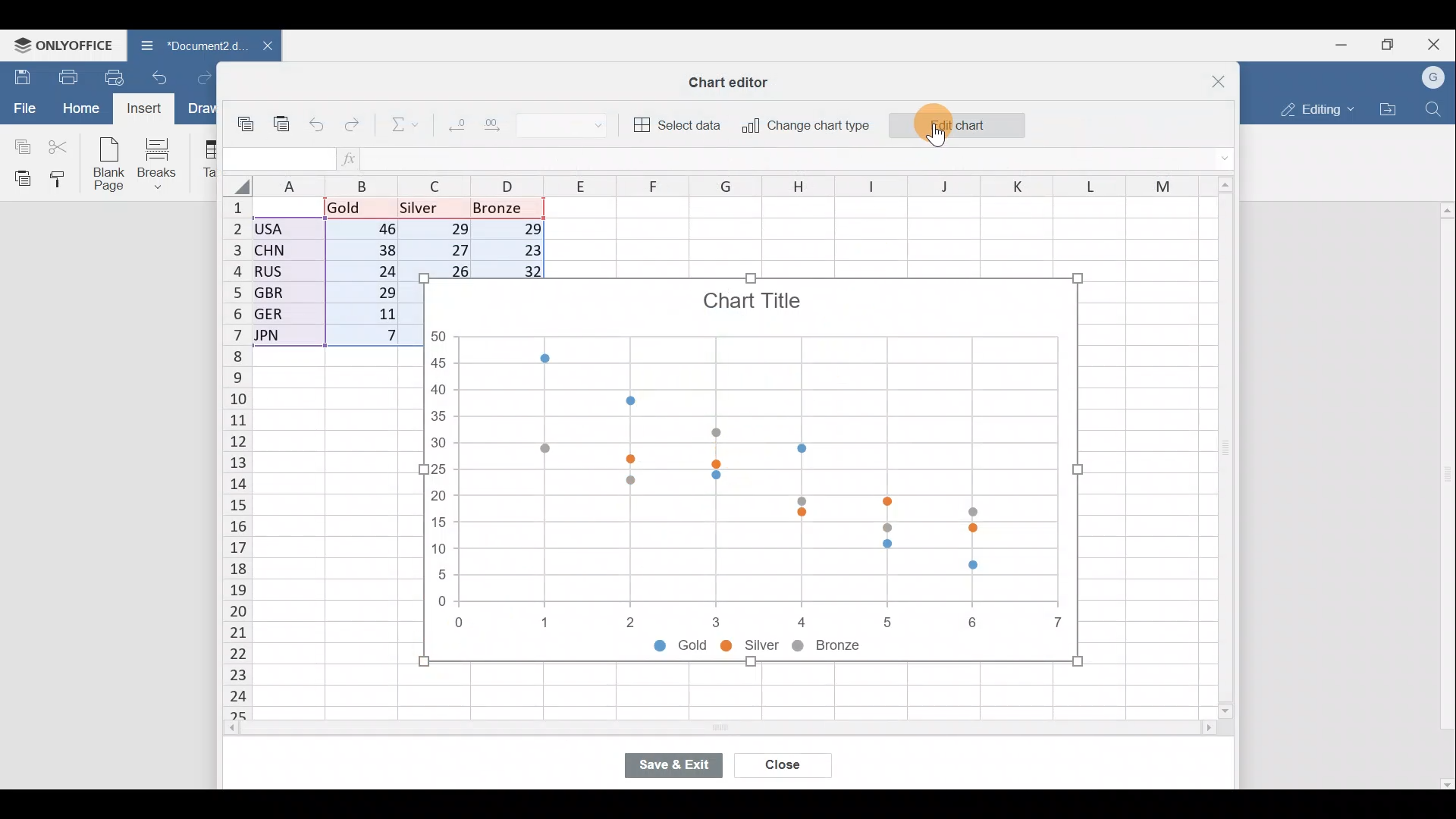 The height and width of the screenshot is (819, 1456). What do you see at coordinates (208, 160) in the screenshot?
I see `Table` at bounding box center [208, 160].